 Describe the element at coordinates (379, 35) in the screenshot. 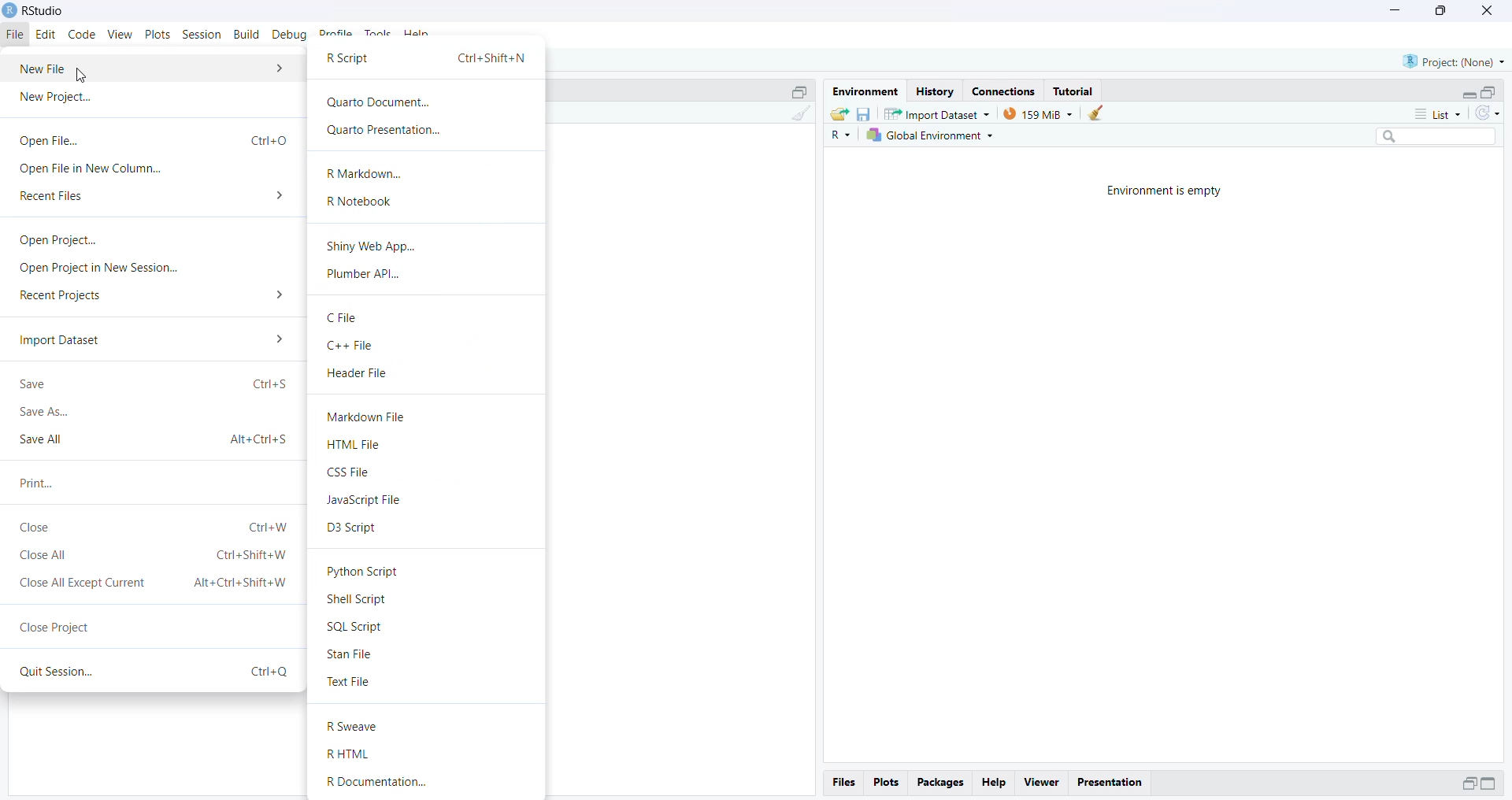

I see `tools` at that location.